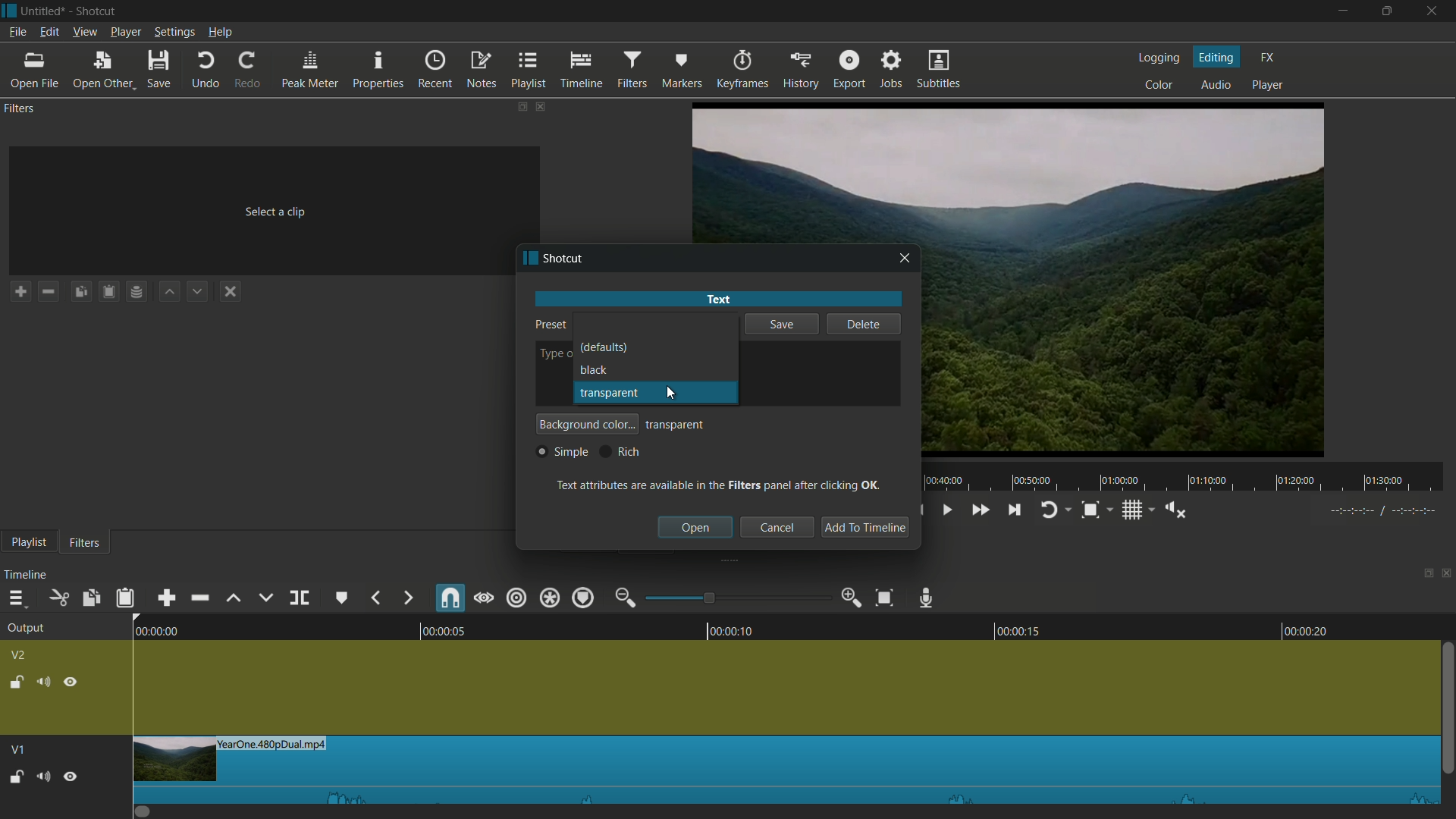  Describe the element at coordinates (21, 109) in the screenshot. I see `filters` at that location.